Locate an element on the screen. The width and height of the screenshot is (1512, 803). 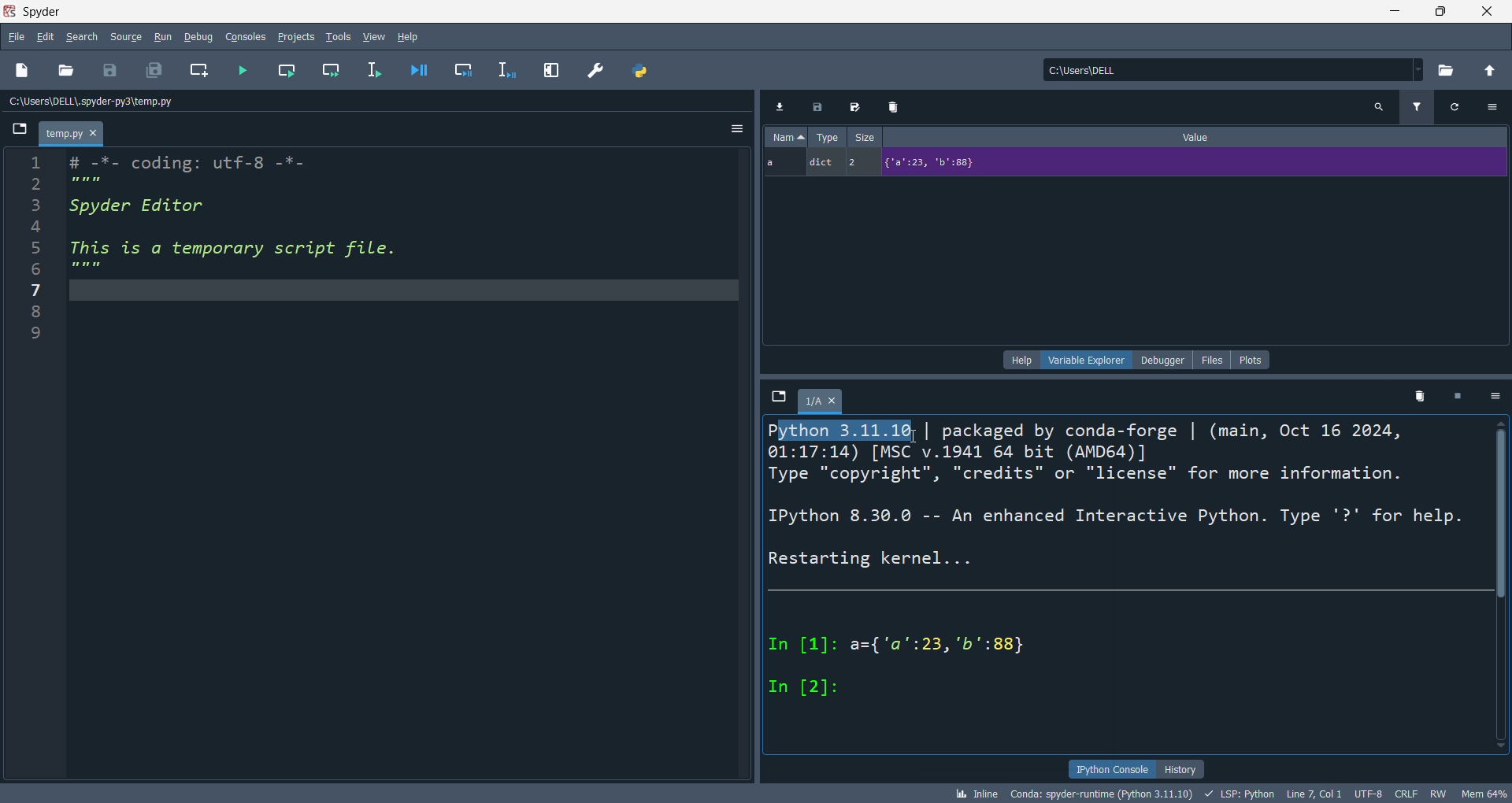
tools is located at coordinates (339, 35).